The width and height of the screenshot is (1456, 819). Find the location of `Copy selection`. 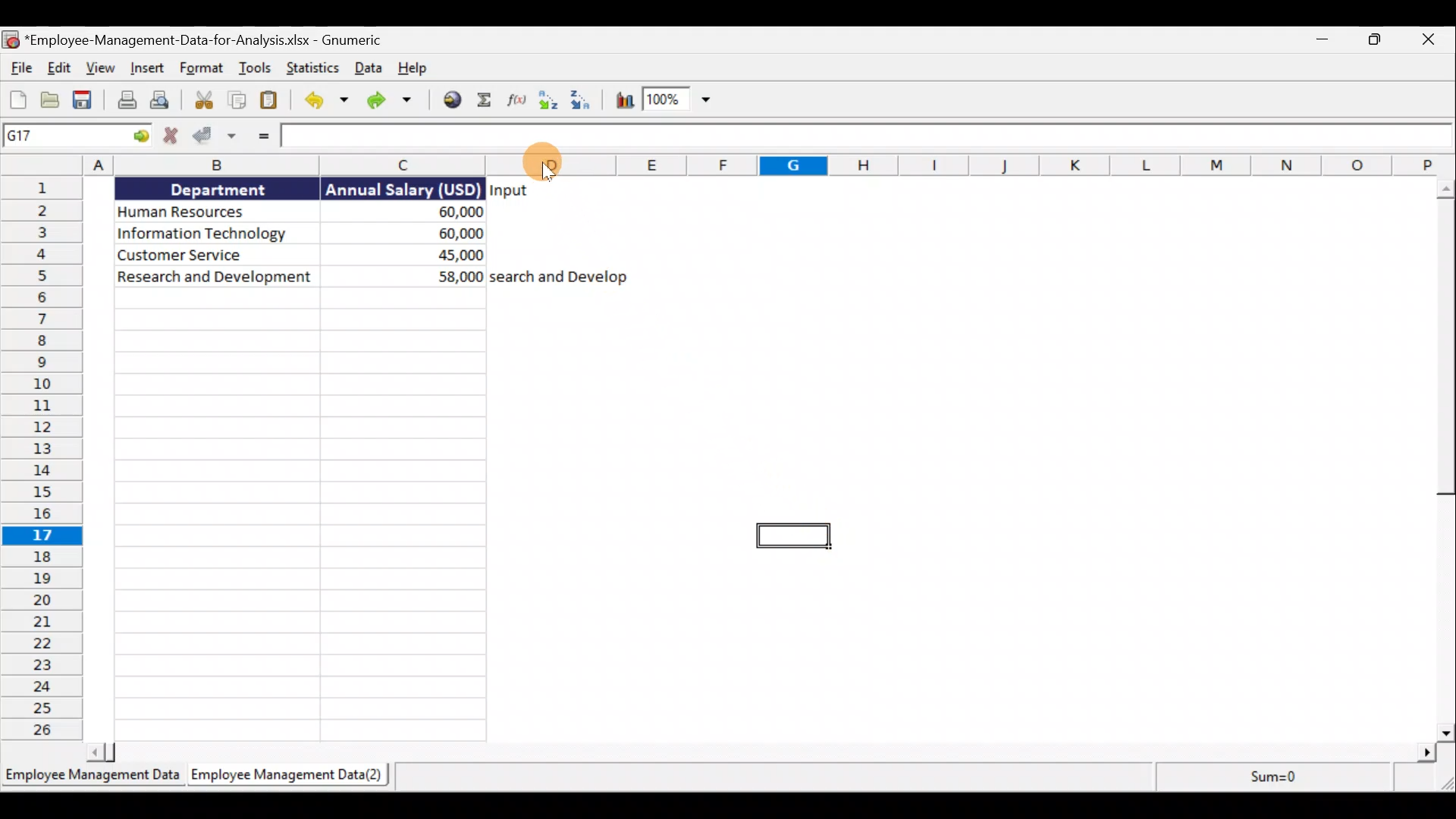

Copy selection is located at coordinates (240, 100).